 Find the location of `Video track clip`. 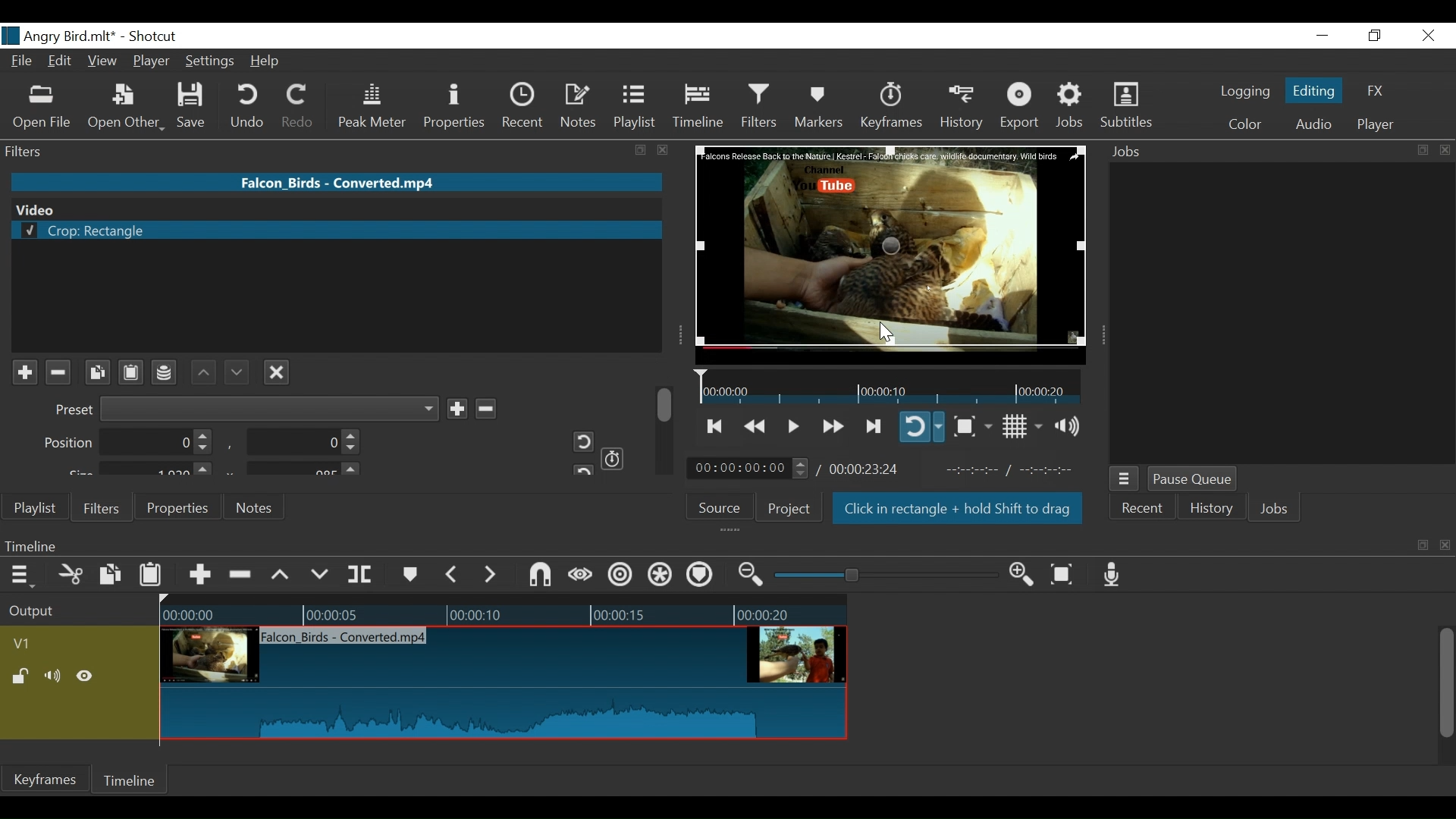

Video track clip is located at coordinates (504, 684).